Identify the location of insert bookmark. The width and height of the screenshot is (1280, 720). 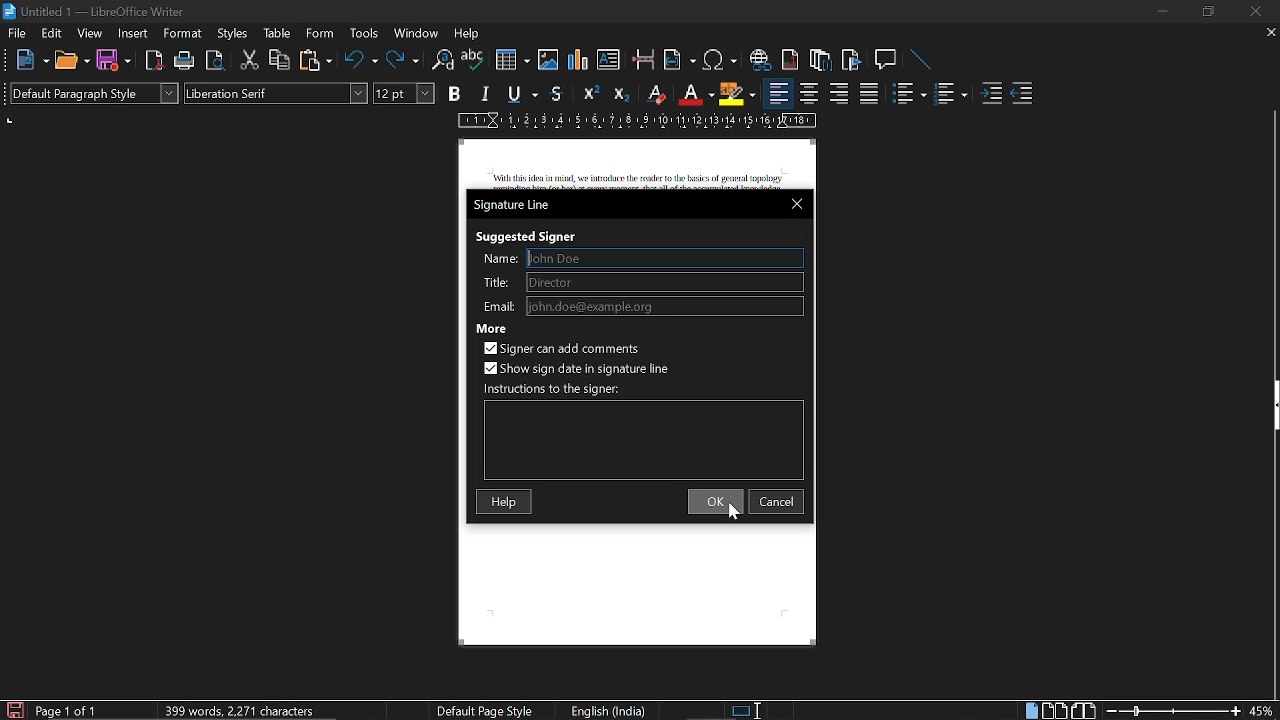
(853, 59).